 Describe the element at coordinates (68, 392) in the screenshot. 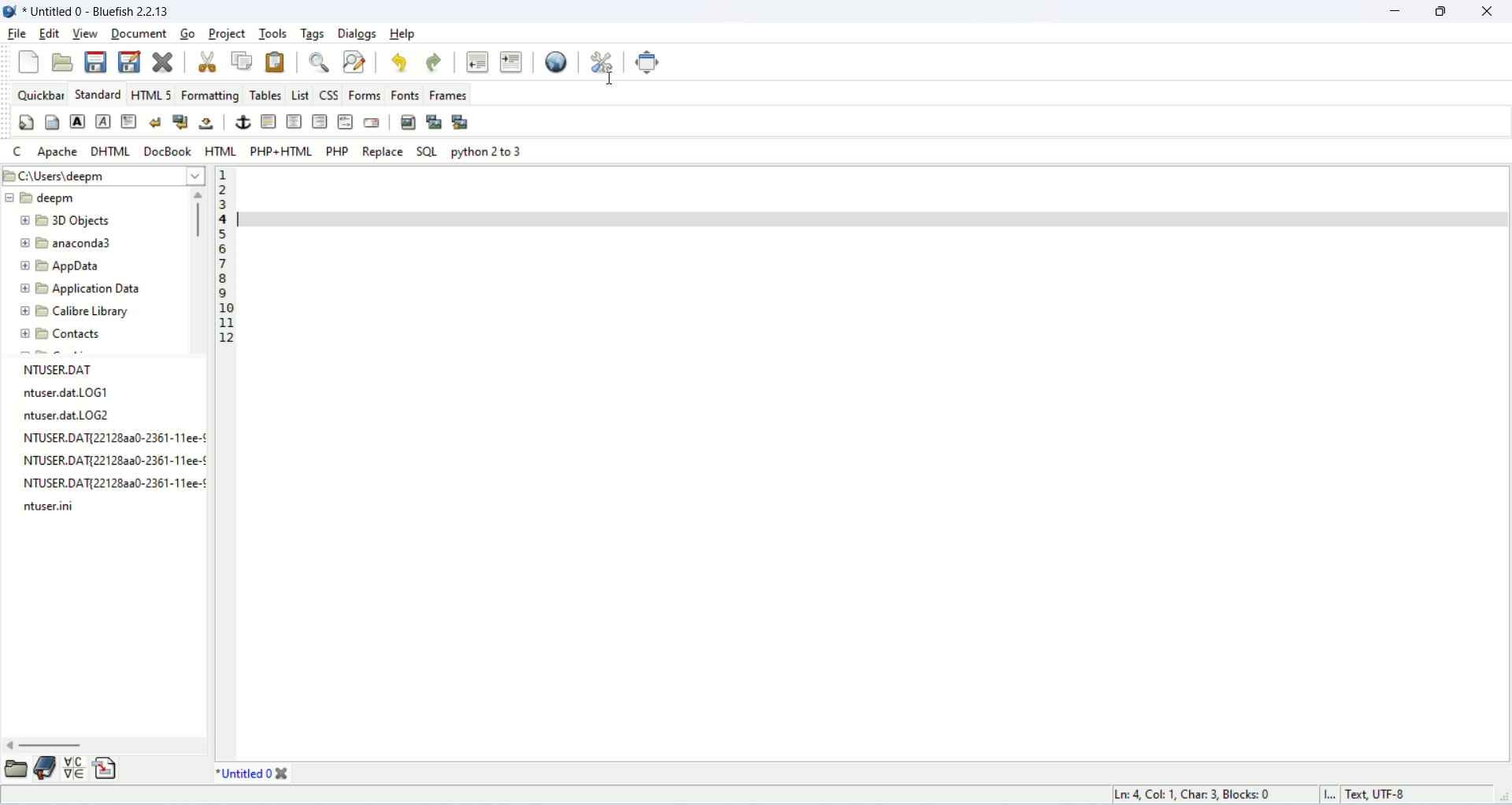

I see `ntuser.dat.LOG1` at that location.